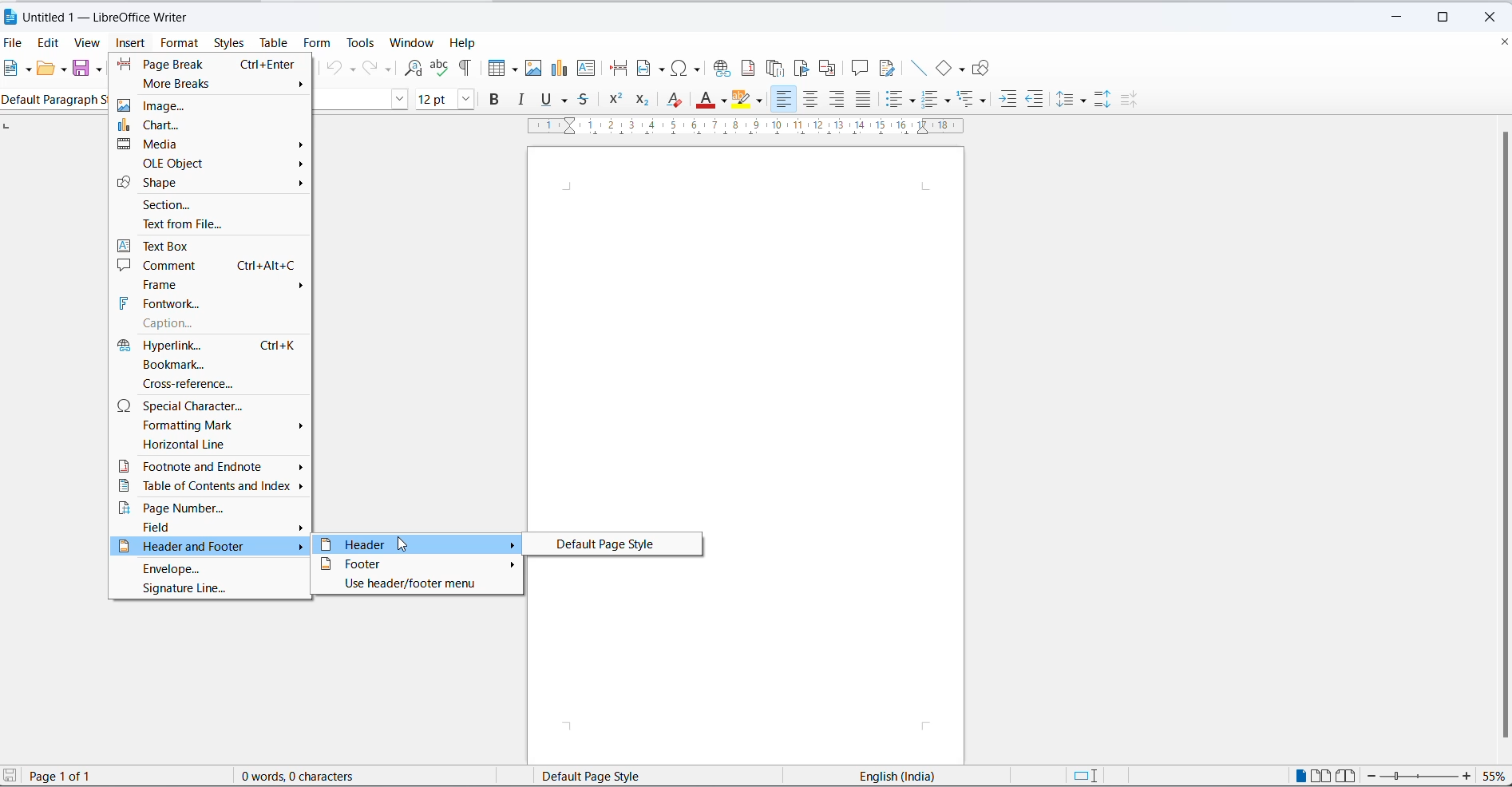  I want to click on OLE Object, so click(214, 164).